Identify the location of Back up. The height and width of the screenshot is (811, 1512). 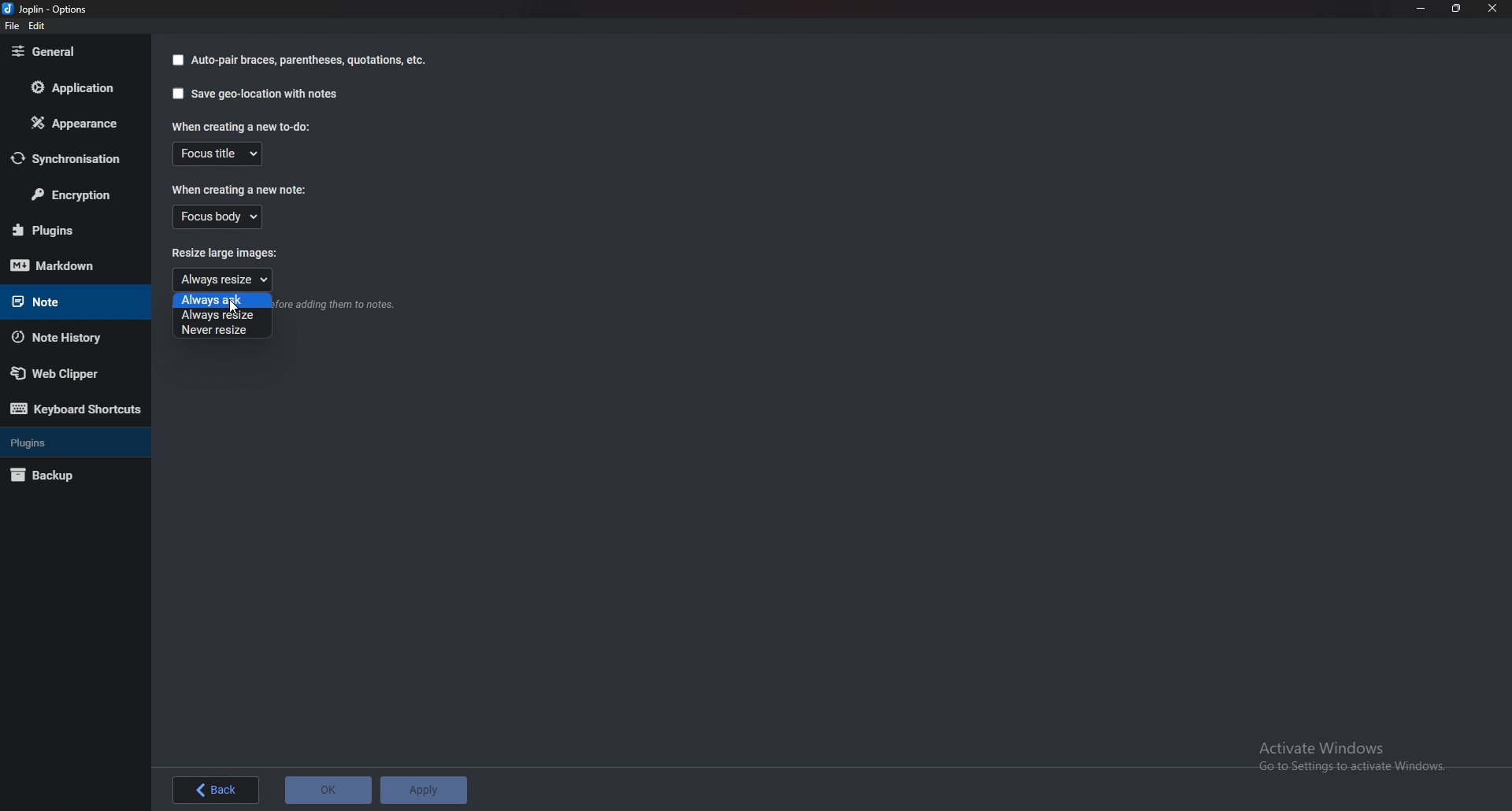
(61, 476).